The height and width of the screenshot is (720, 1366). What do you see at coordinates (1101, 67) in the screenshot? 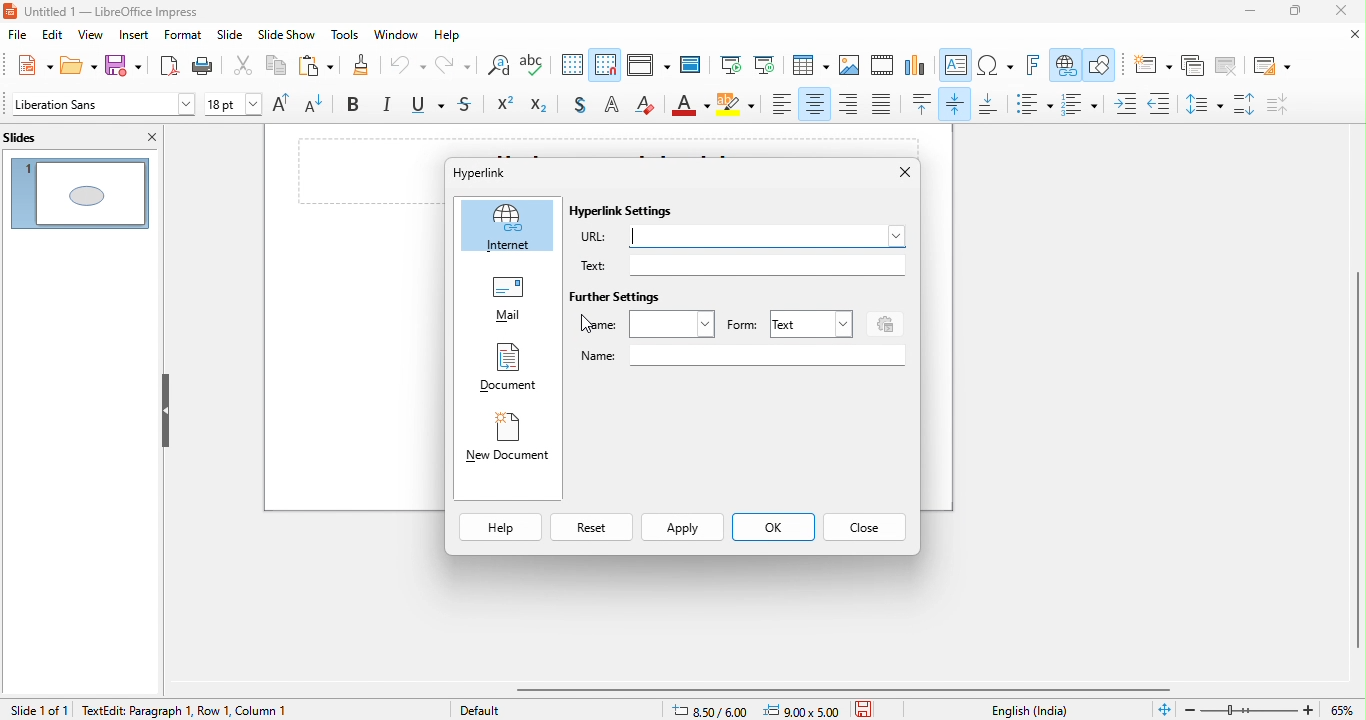
I see `show draw function` at bounding box center [1101, 67].